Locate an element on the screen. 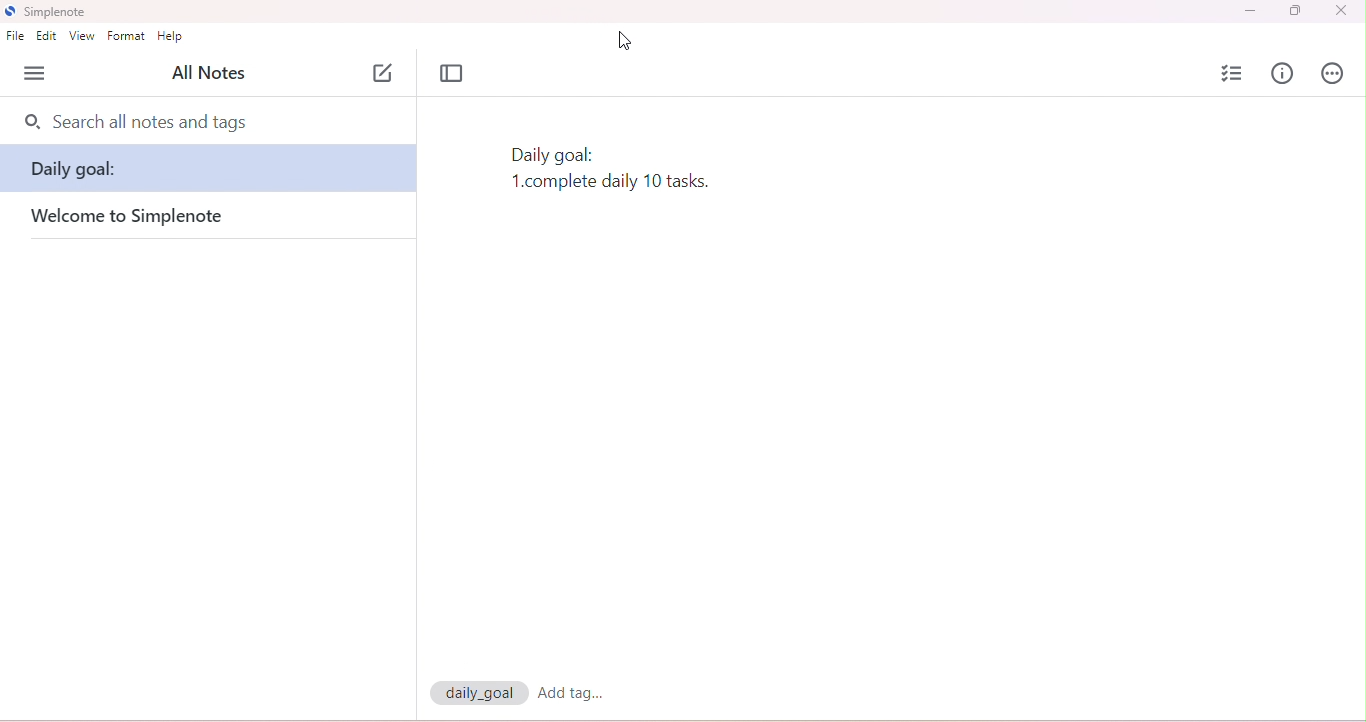  daily goal note created is located at coordinates (616, 170).